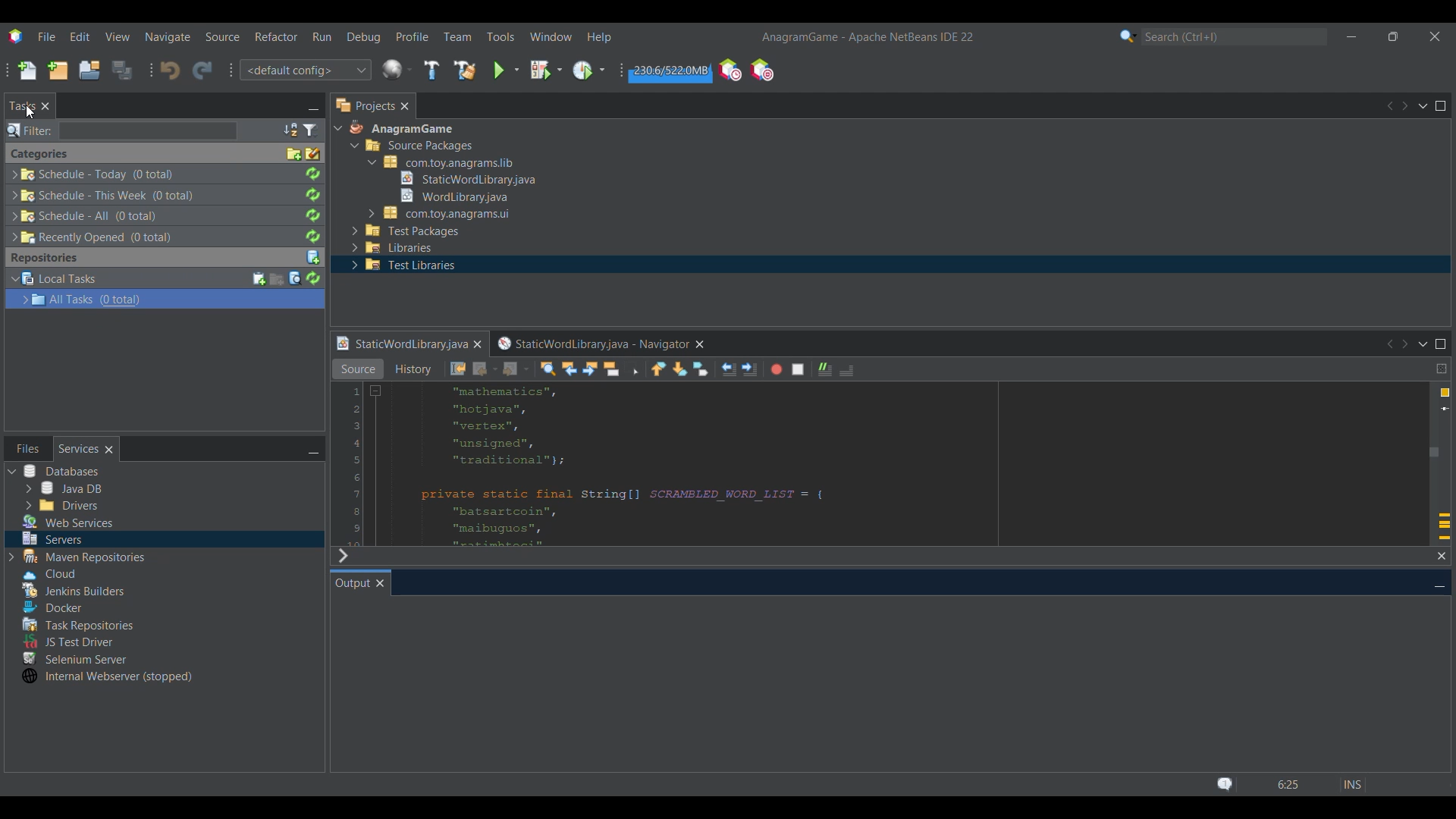  I want to click on Pause I/O checks, so click(761, 70).